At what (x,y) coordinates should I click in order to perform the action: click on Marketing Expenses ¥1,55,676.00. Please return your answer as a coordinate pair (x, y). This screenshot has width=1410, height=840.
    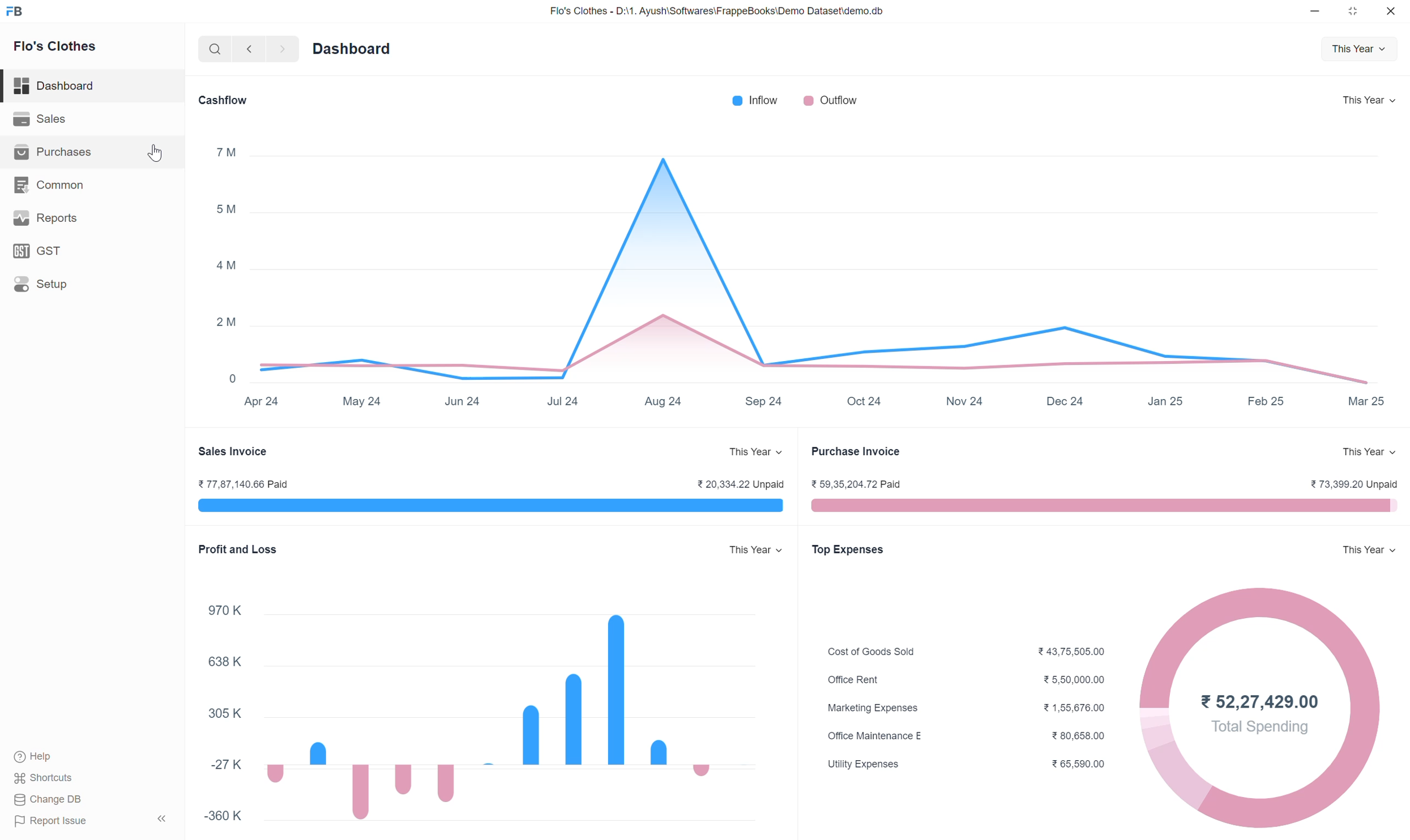
    Looking at the image, I should click on (957, 709).